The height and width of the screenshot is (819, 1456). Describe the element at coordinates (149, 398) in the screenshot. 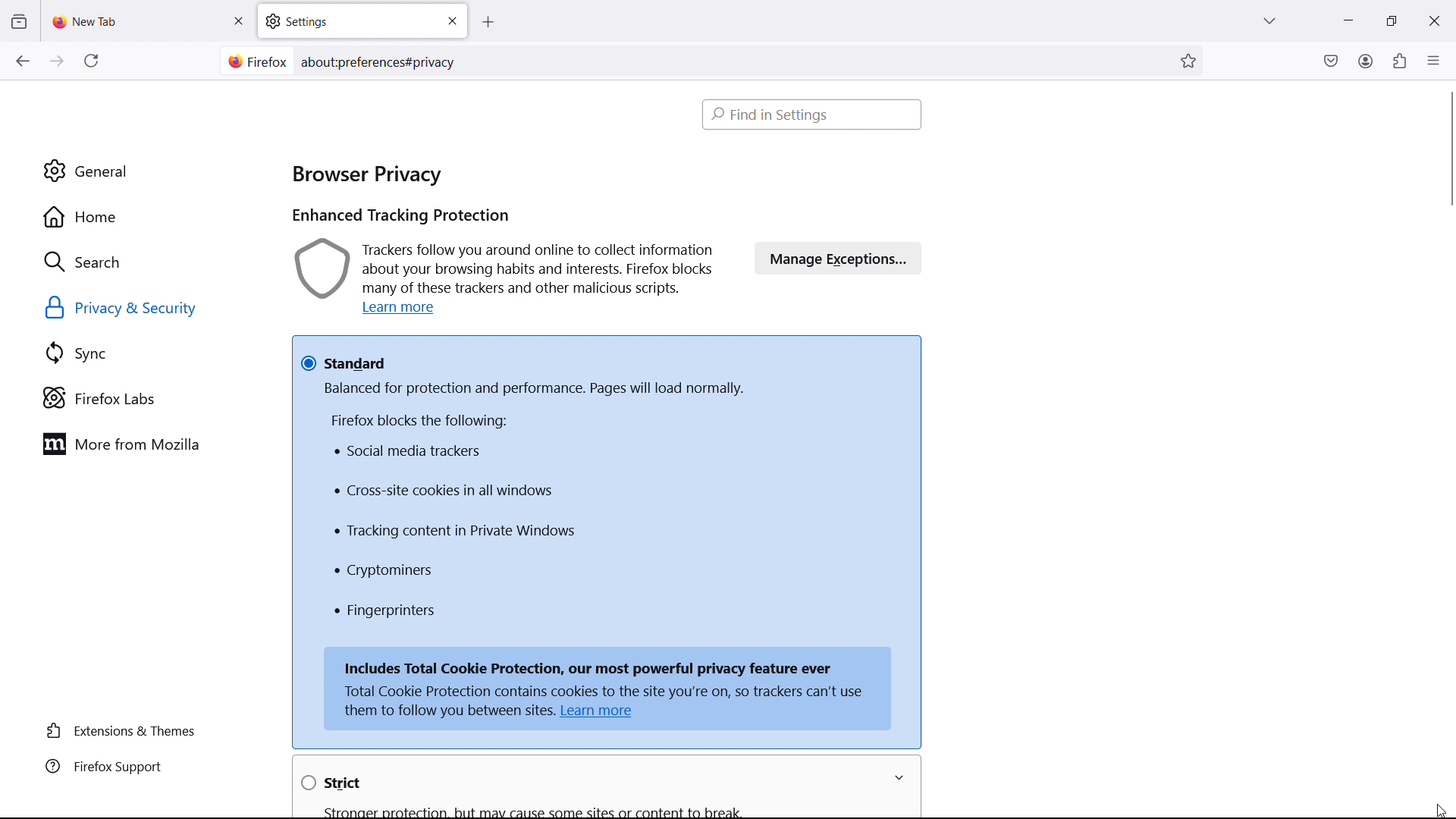

I see `firefox labs` at that location.